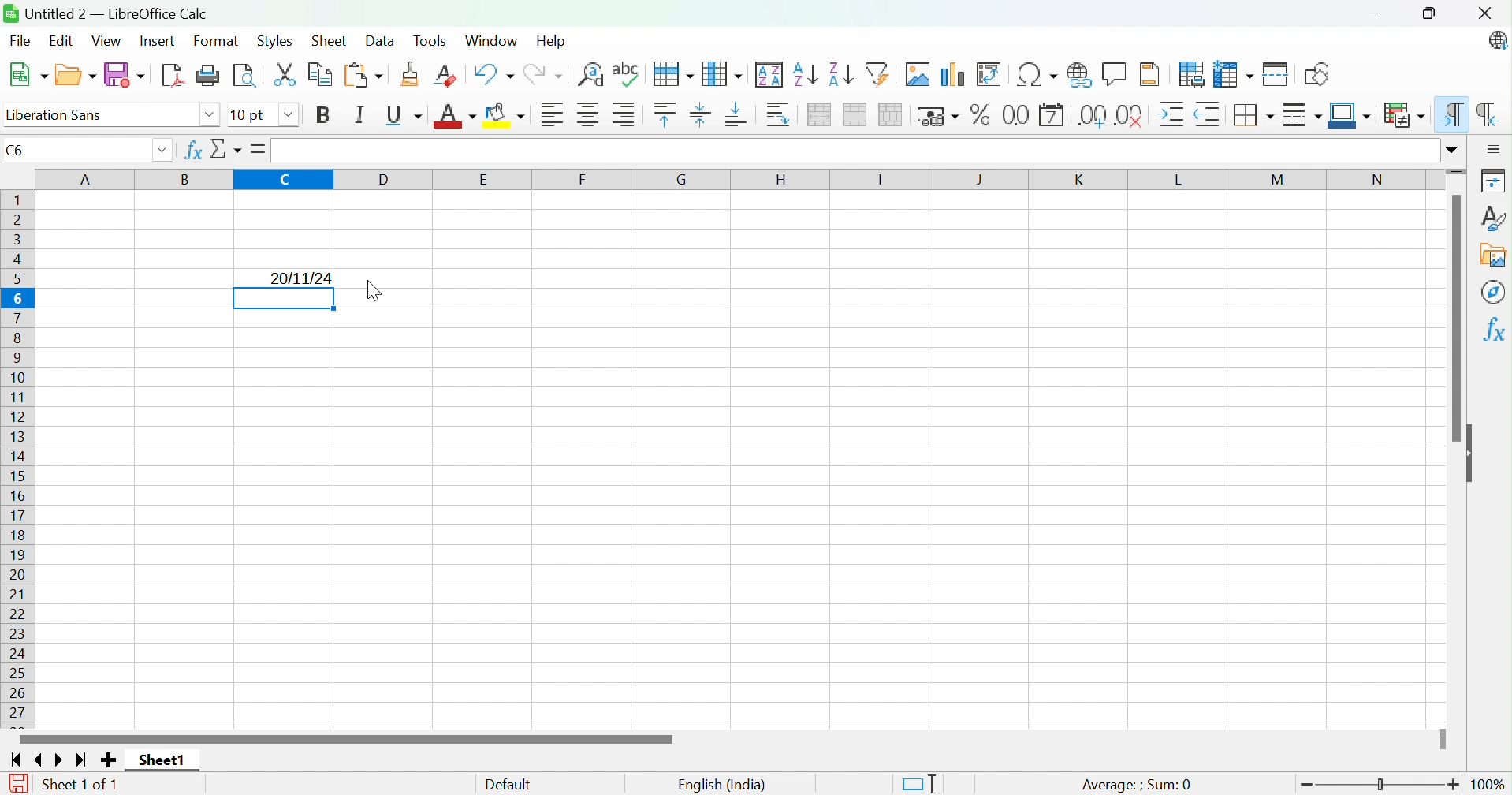  I want to click on Background color, so click(508, 116).